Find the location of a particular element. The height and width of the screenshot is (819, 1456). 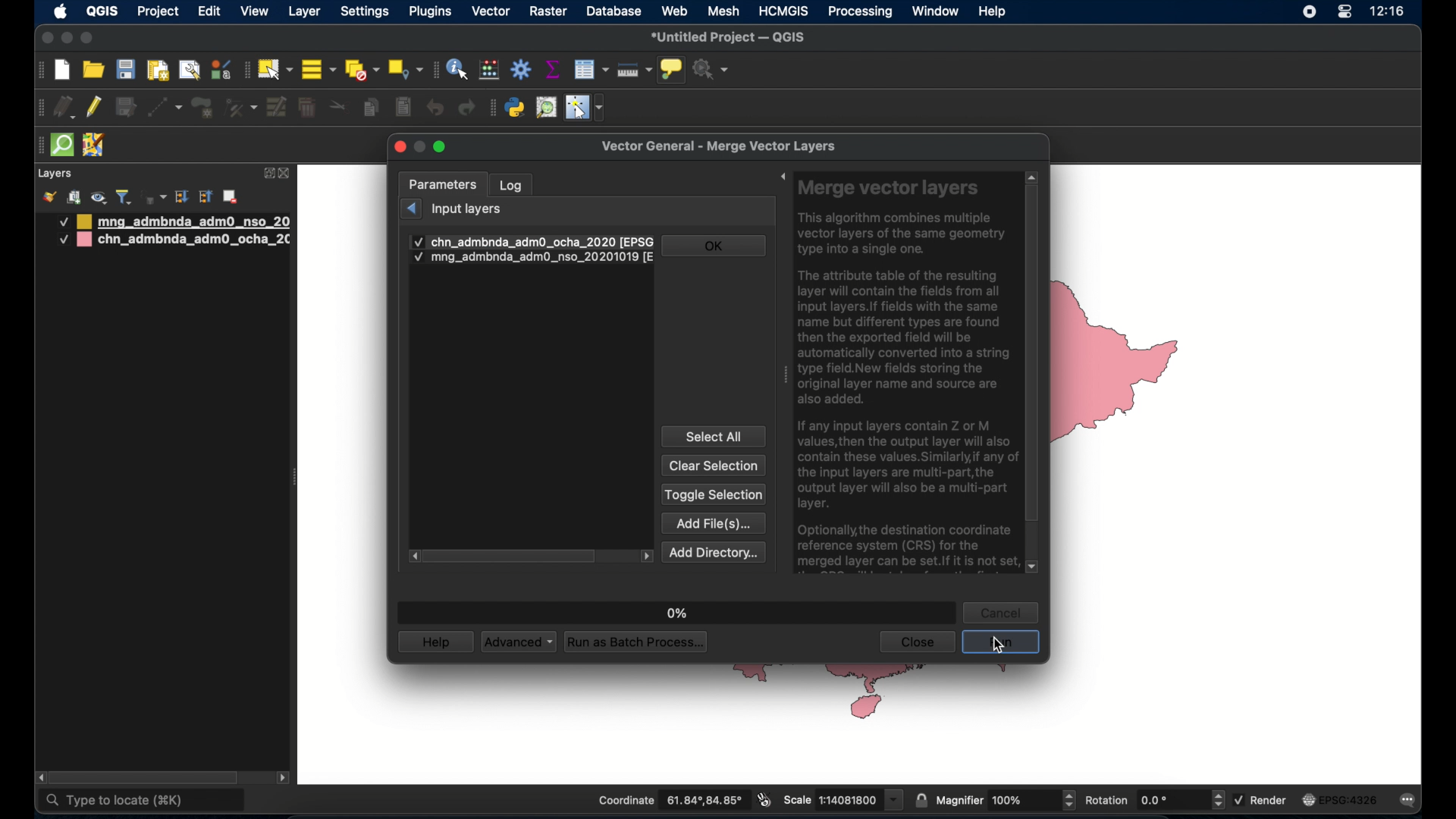

close is located at coordinates (916, 642).